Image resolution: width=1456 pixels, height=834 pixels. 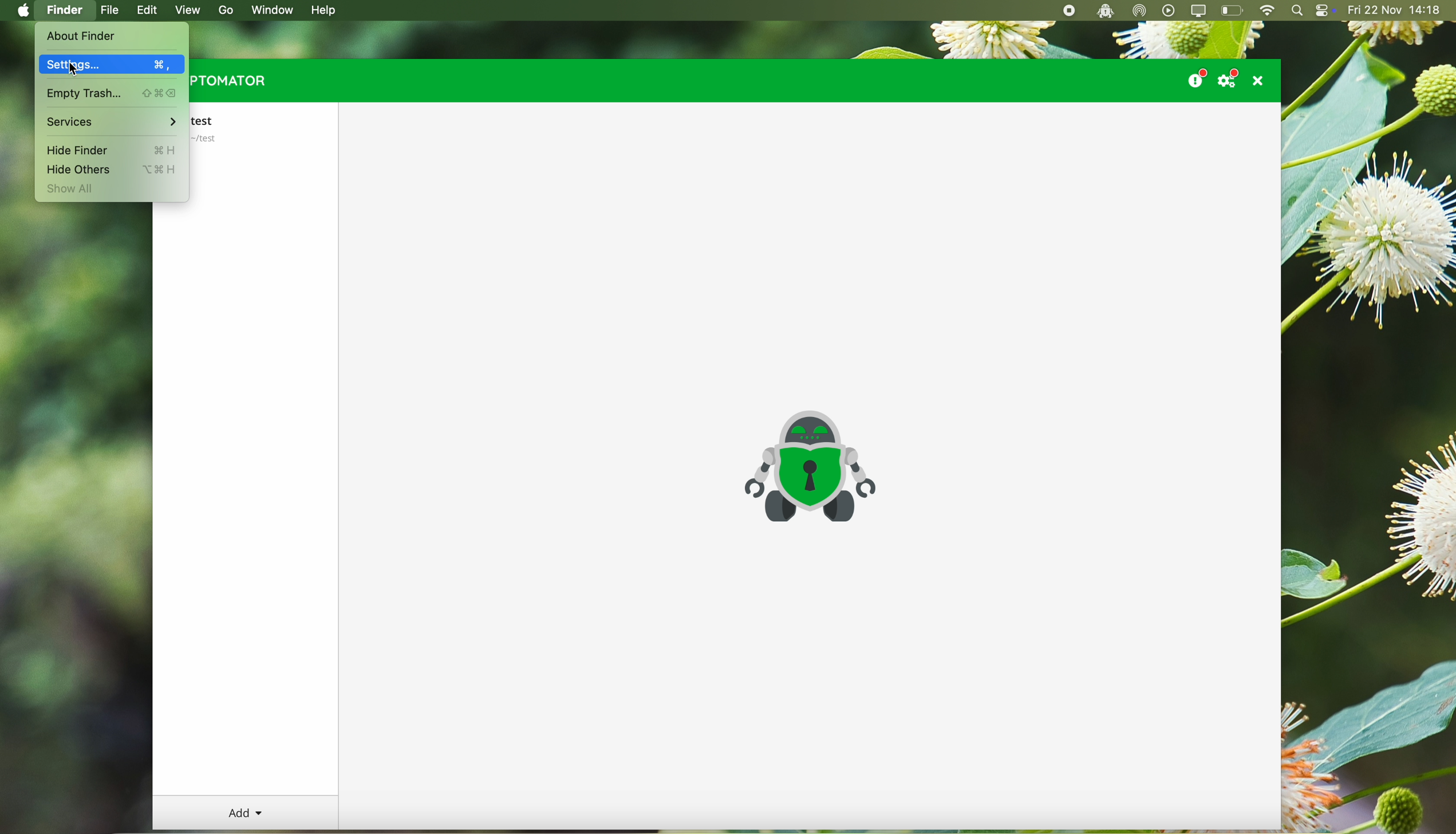 What do you see at coordinates (1266, 11) in the screenshot?
I see `wifi` at bounding box center [1266, 11].